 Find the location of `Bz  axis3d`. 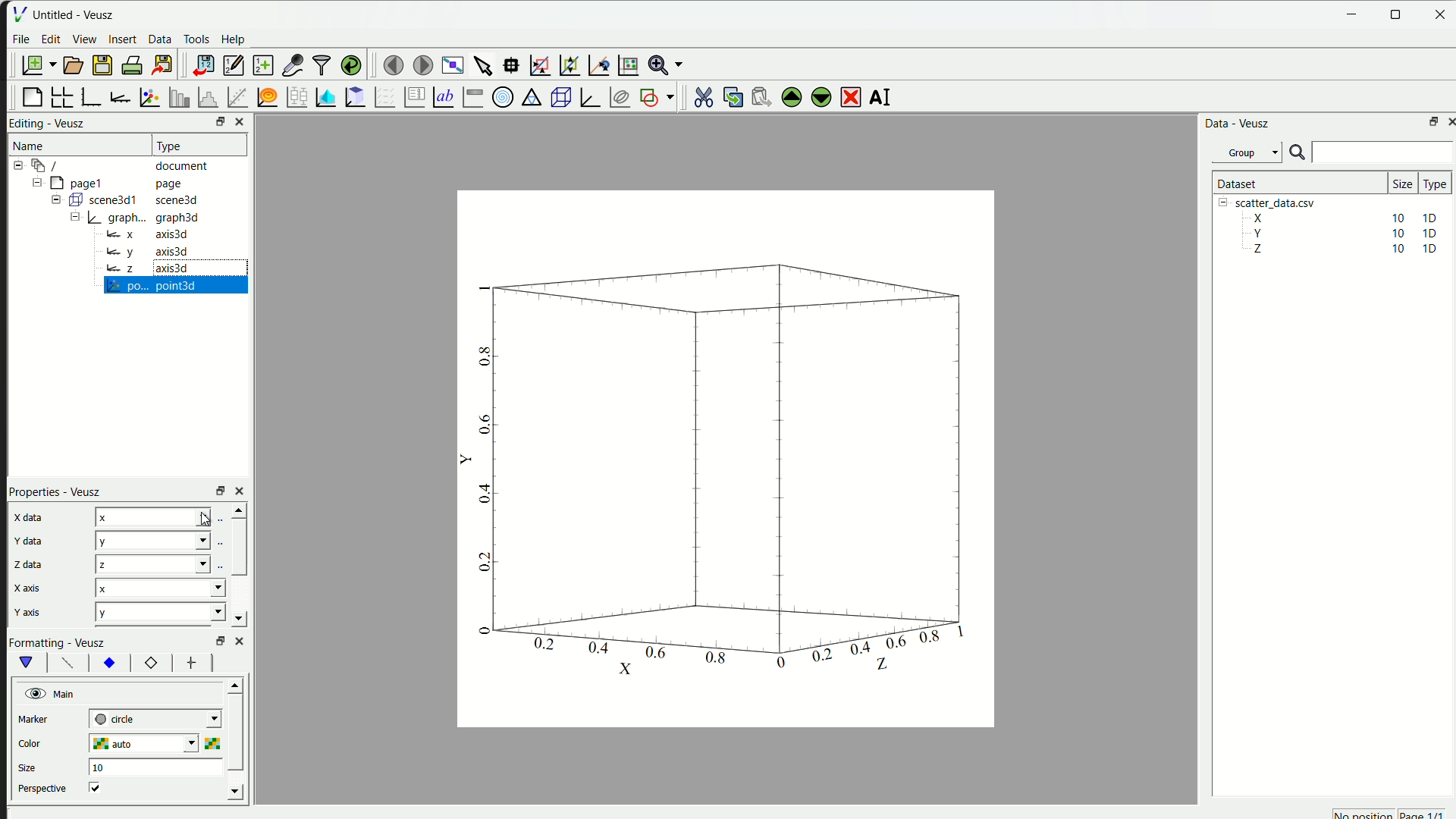

Bz  axis3d is located at coordinates (144, 268).